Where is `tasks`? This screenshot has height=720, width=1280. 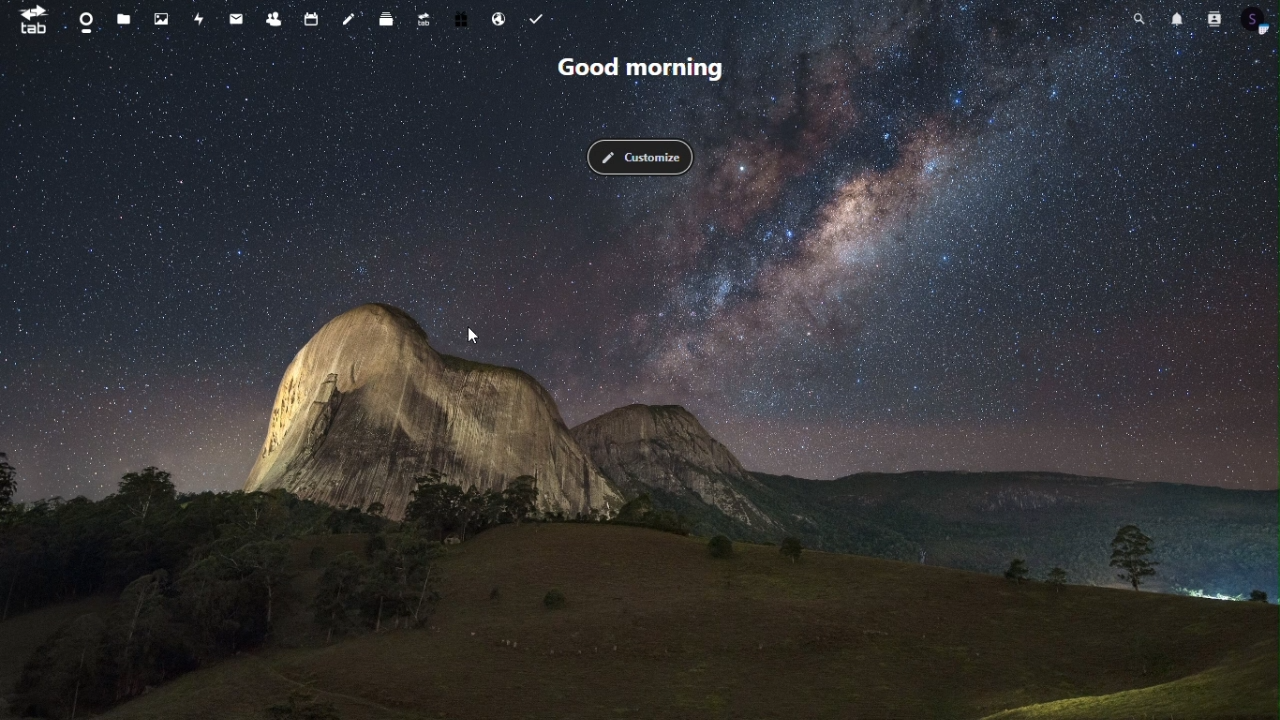
tasks is located at coordinates (540, 17).